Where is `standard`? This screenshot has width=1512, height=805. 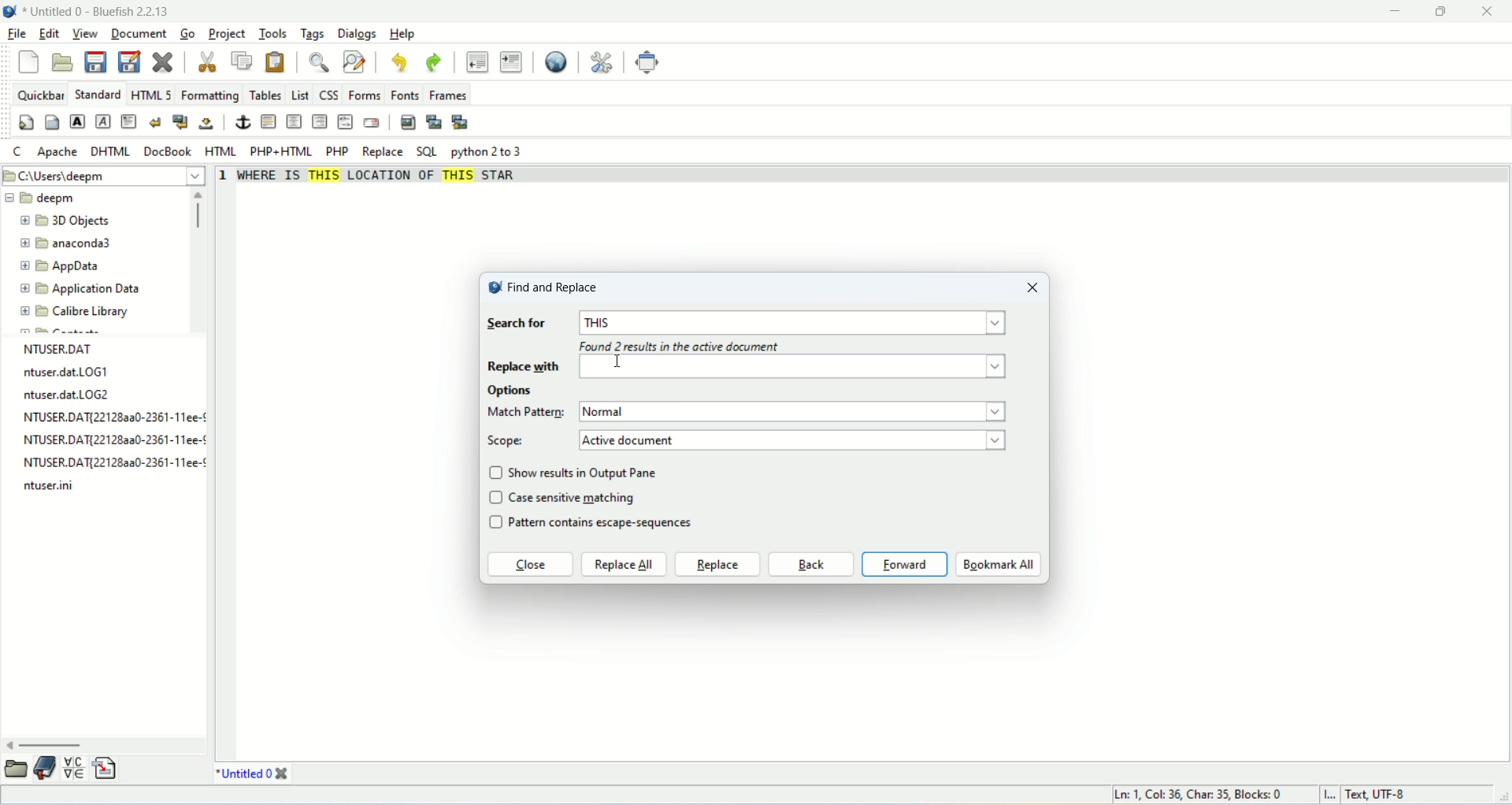 standard is located at coordinates (96, 94).